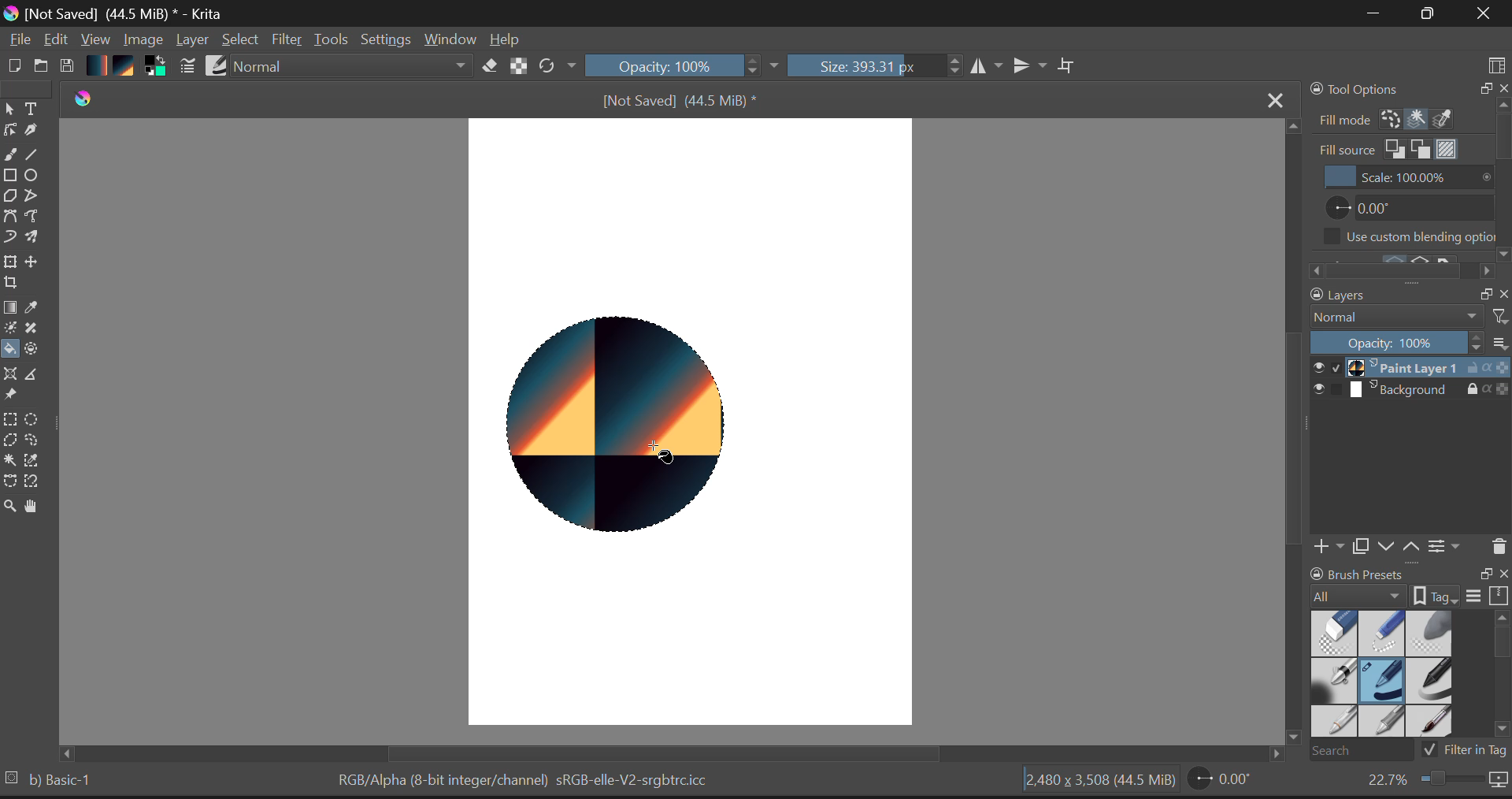 The height and width of the screenshot is (799, 1512). Describe the element at coordinates (287, 40) in the screenshot. I see `Filter` at that location.